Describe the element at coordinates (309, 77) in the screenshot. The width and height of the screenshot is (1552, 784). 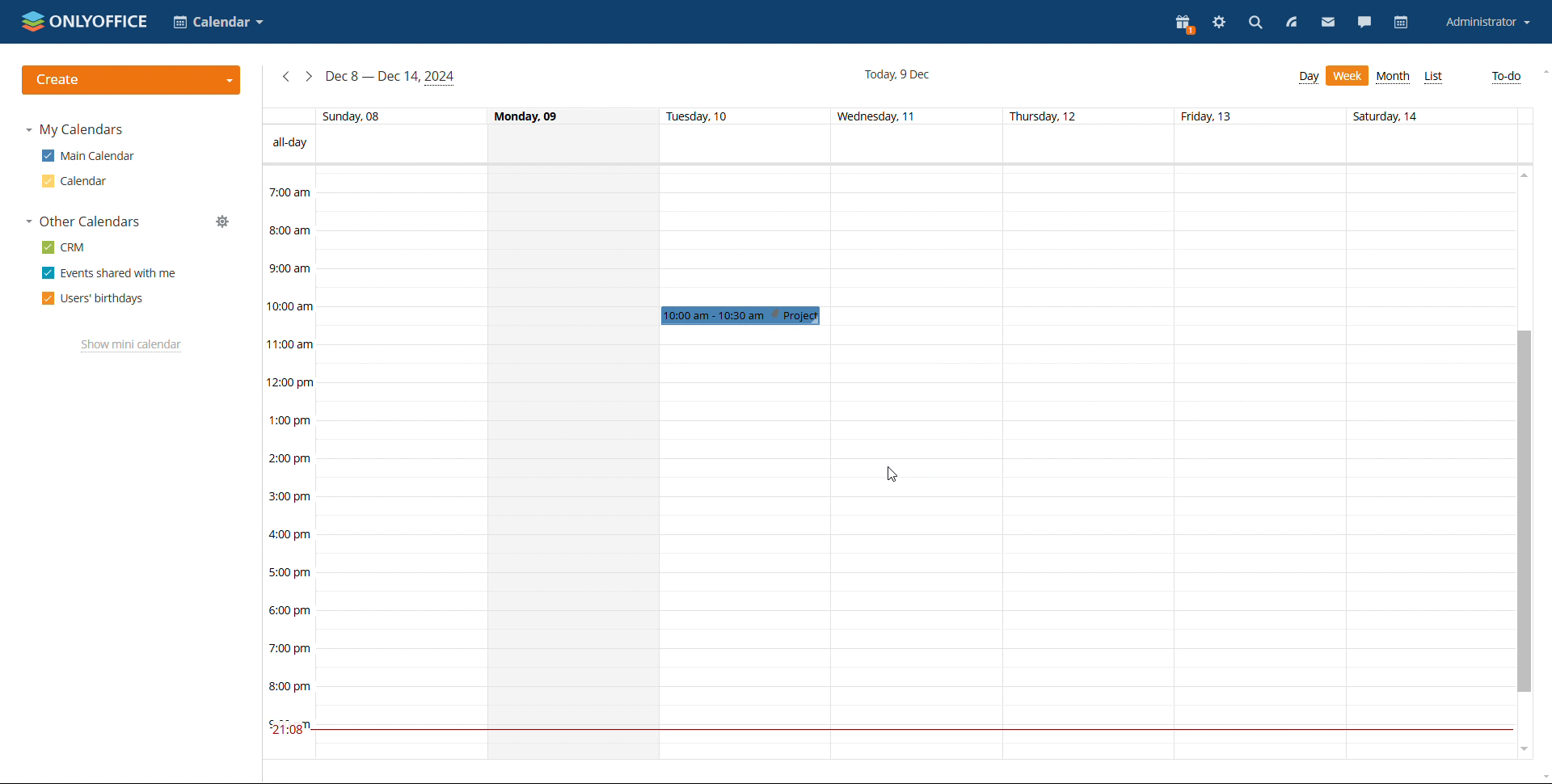
I see `next week` at that location.